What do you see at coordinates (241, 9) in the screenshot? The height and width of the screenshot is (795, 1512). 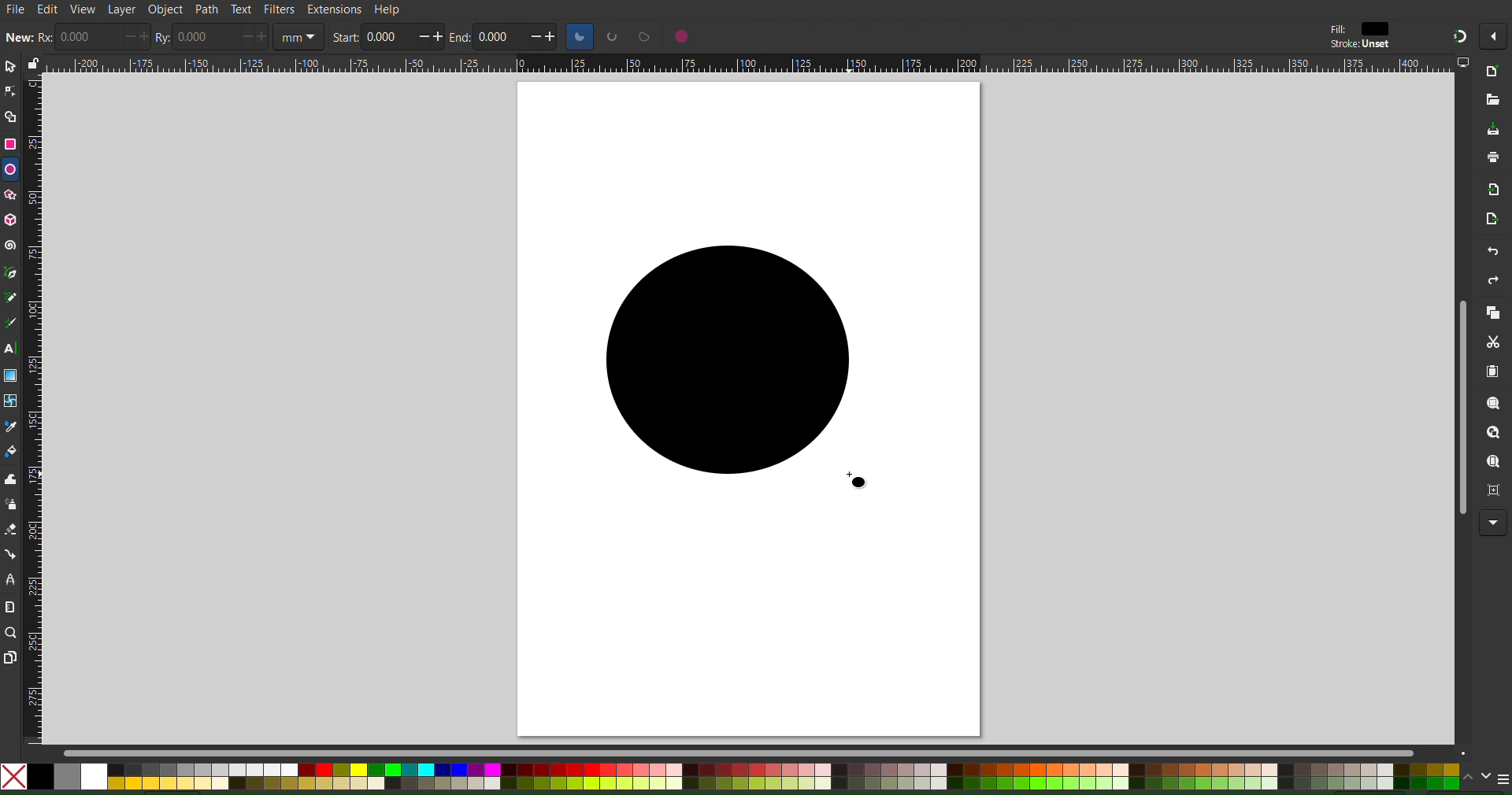 I see `Text` at bounding box center [241, 9].